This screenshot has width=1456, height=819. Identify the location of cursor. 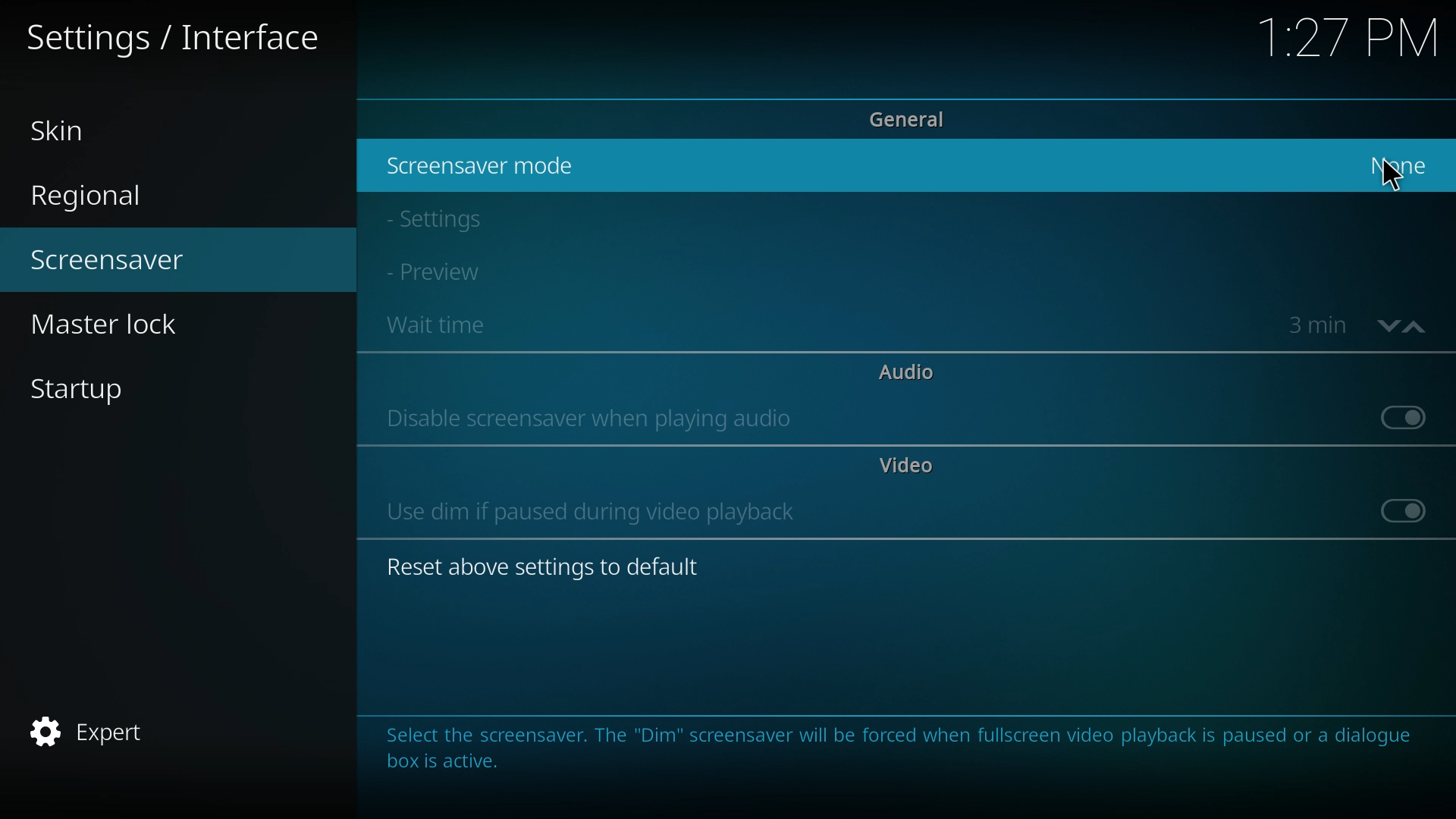
(1392, 176).